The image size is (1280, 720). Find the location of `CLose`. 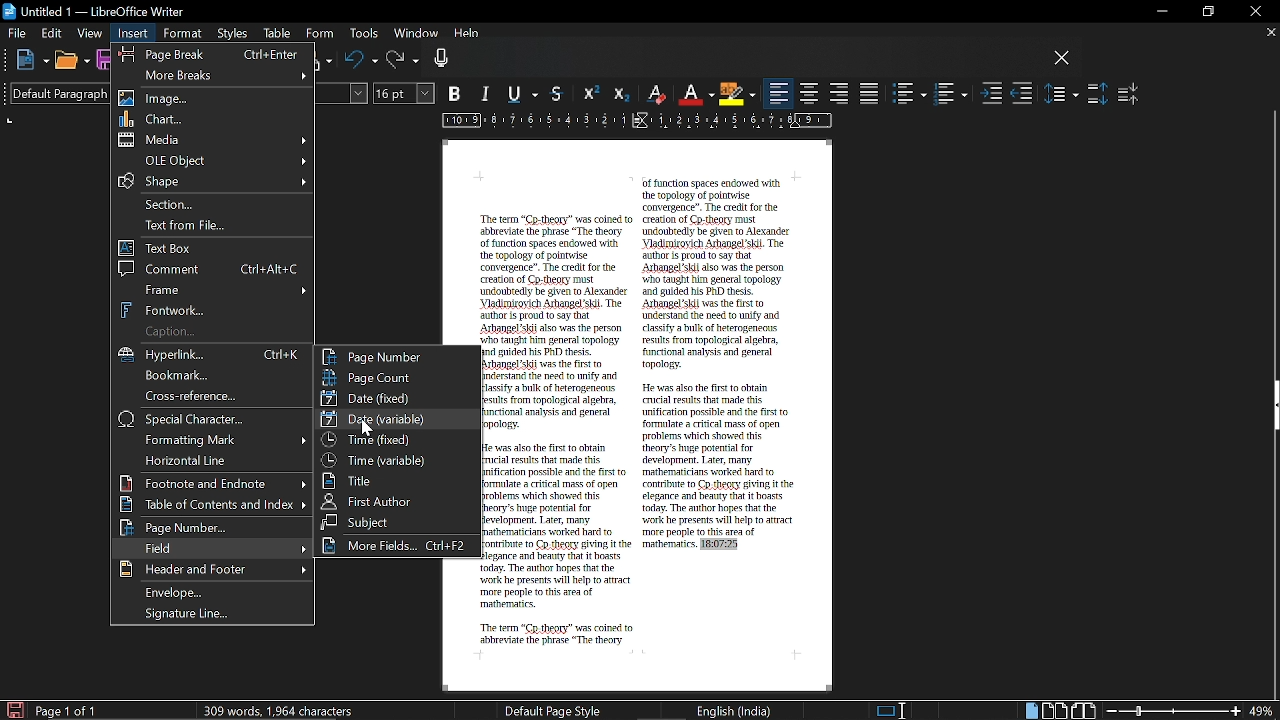

CLose is located at coordinates (1062, 59).